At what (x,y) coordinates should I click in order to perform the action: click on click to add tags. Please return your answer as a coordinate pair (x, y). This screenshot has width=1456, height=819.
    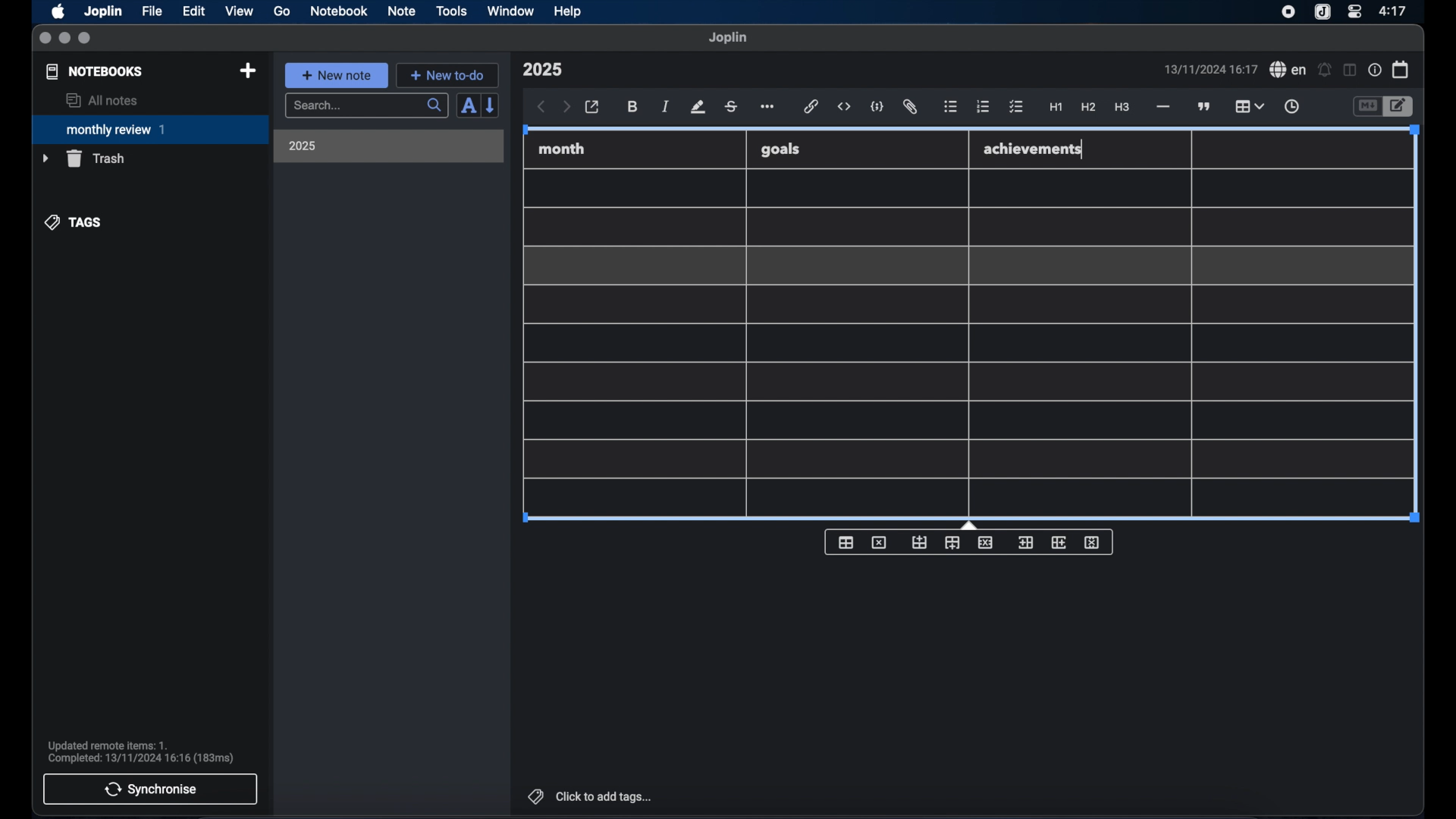
    Looking at the image, I should click on (591, 796).